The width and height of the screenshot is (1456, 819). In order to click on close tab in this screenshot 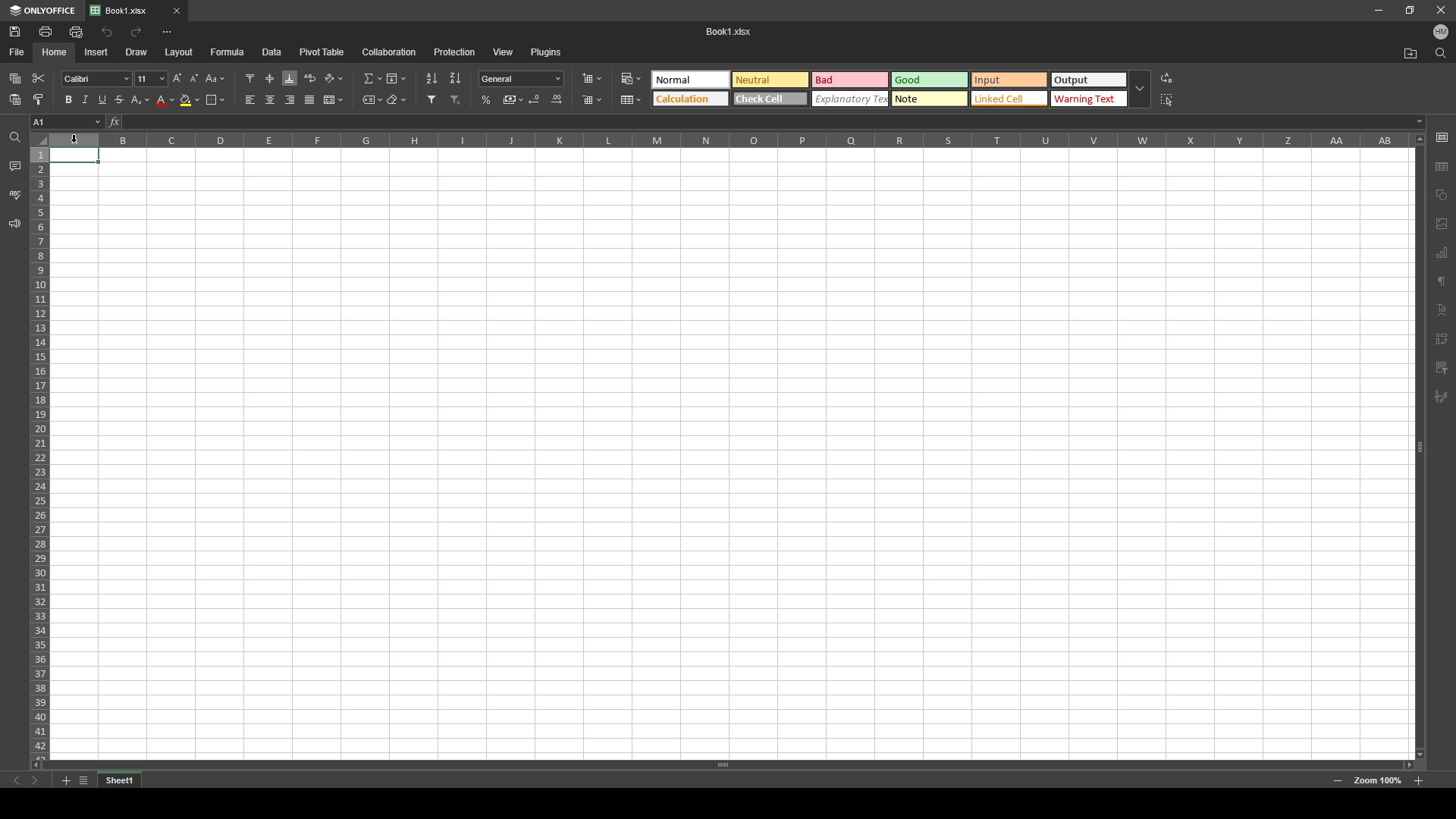, I will do `click(177, 11)`.